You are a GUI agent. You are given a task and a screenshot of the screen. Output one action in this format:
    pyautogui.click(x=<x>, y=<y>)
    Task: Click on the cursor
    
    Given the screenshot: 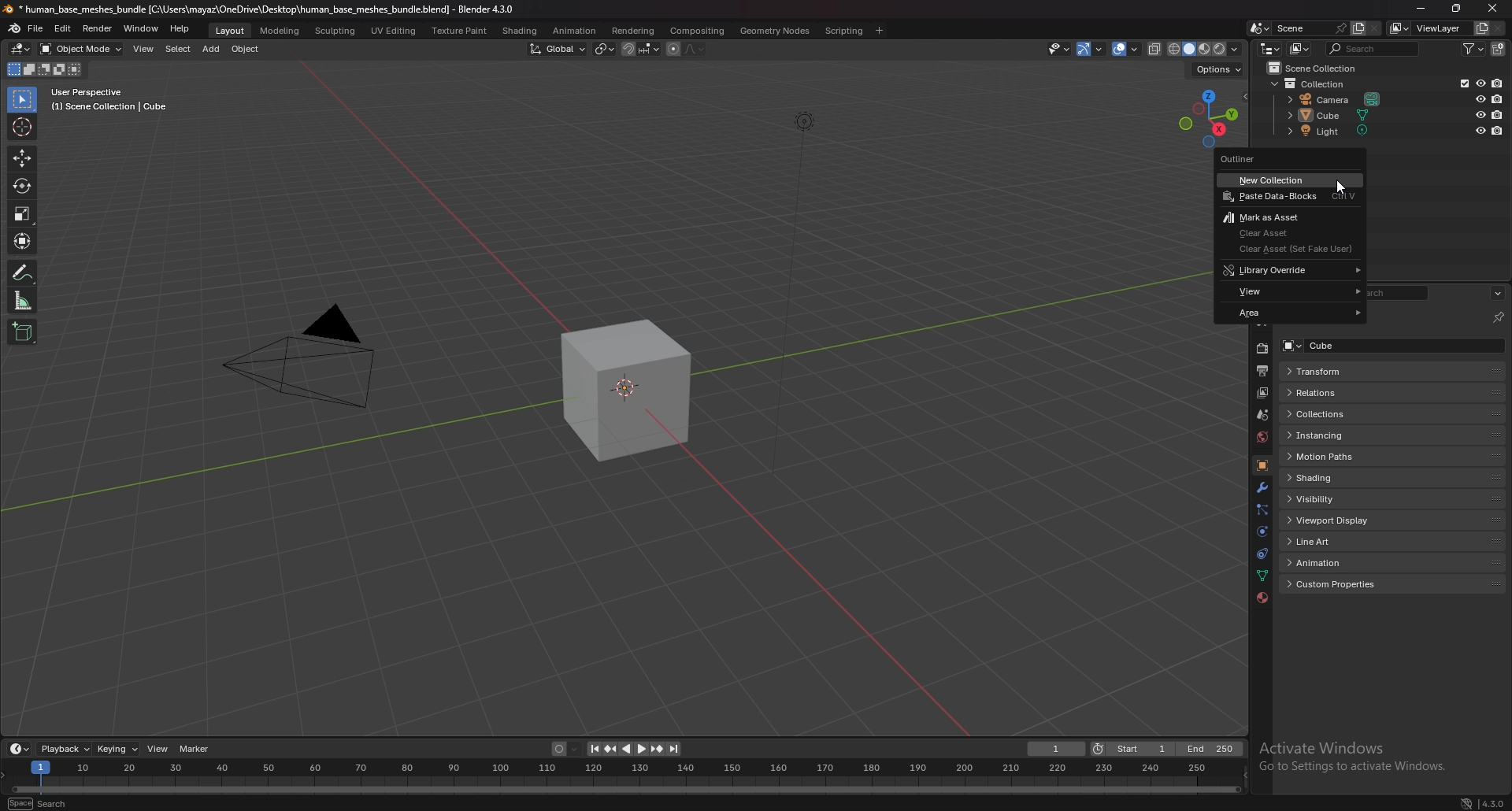 What is the action you would take?
    pyautogui.click(x=22, y=127)
    